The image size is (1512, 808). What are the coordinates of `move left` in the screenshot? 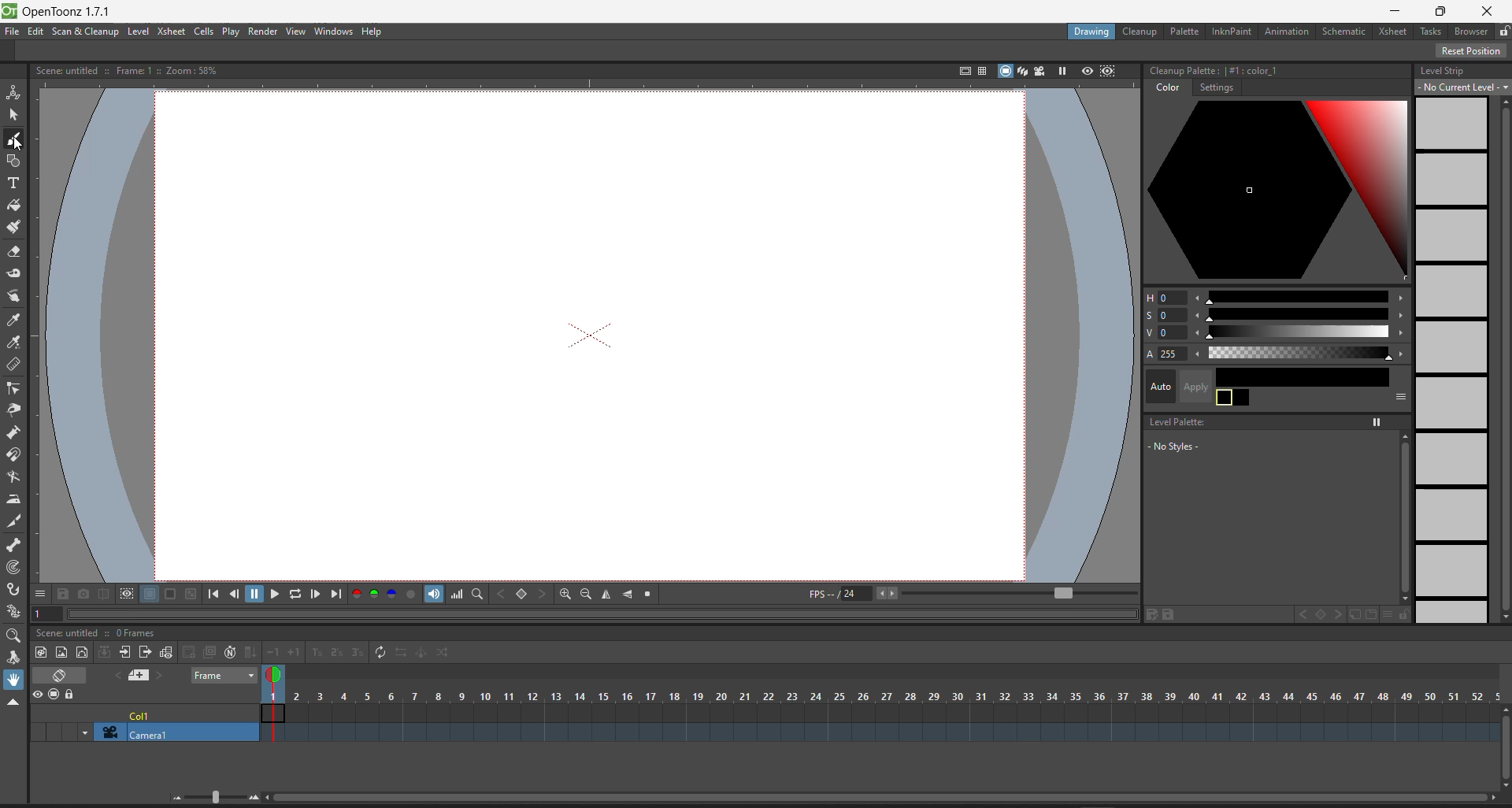 It's located at (1199, 297).